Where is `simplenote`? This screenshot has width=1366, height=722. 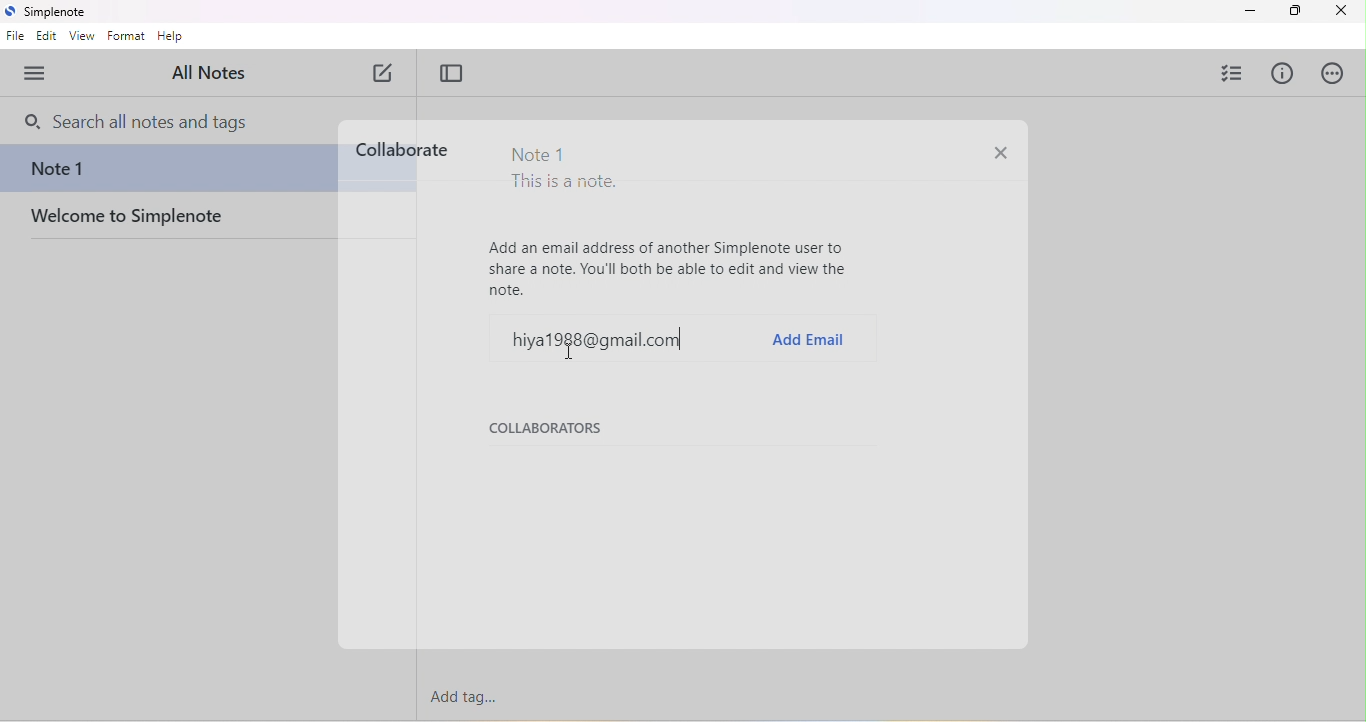
simplenote is located at coordinates (64, 10).